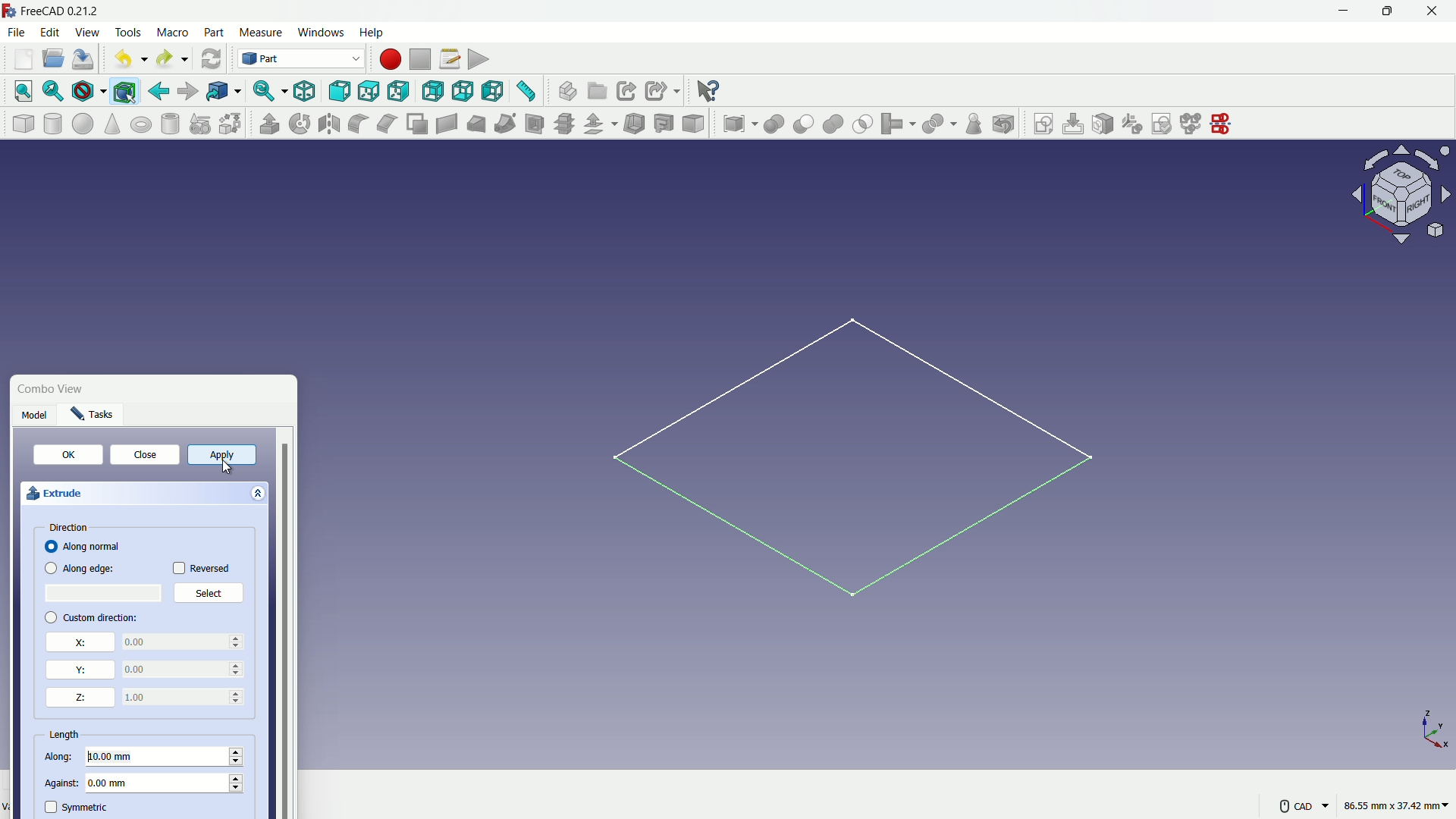 The height and width of the screenshot is (819, 1456). What do you see at coordinates (25, 91) in the screenshot?
I see `fit all` at bounding box center [25, 91].